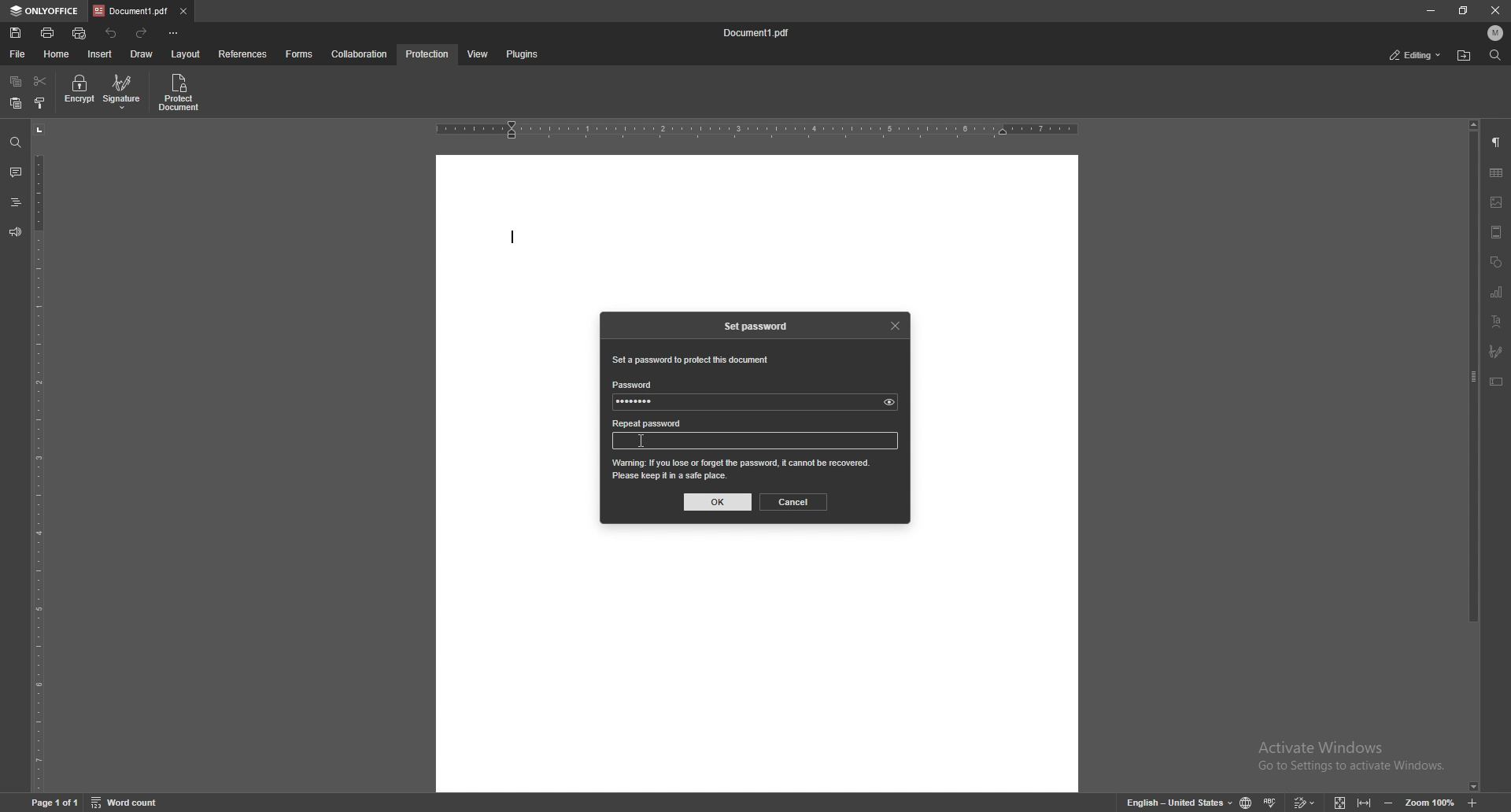  Describe the element at coordinates (56, 54) in the screenshot. I see `home` at that location.